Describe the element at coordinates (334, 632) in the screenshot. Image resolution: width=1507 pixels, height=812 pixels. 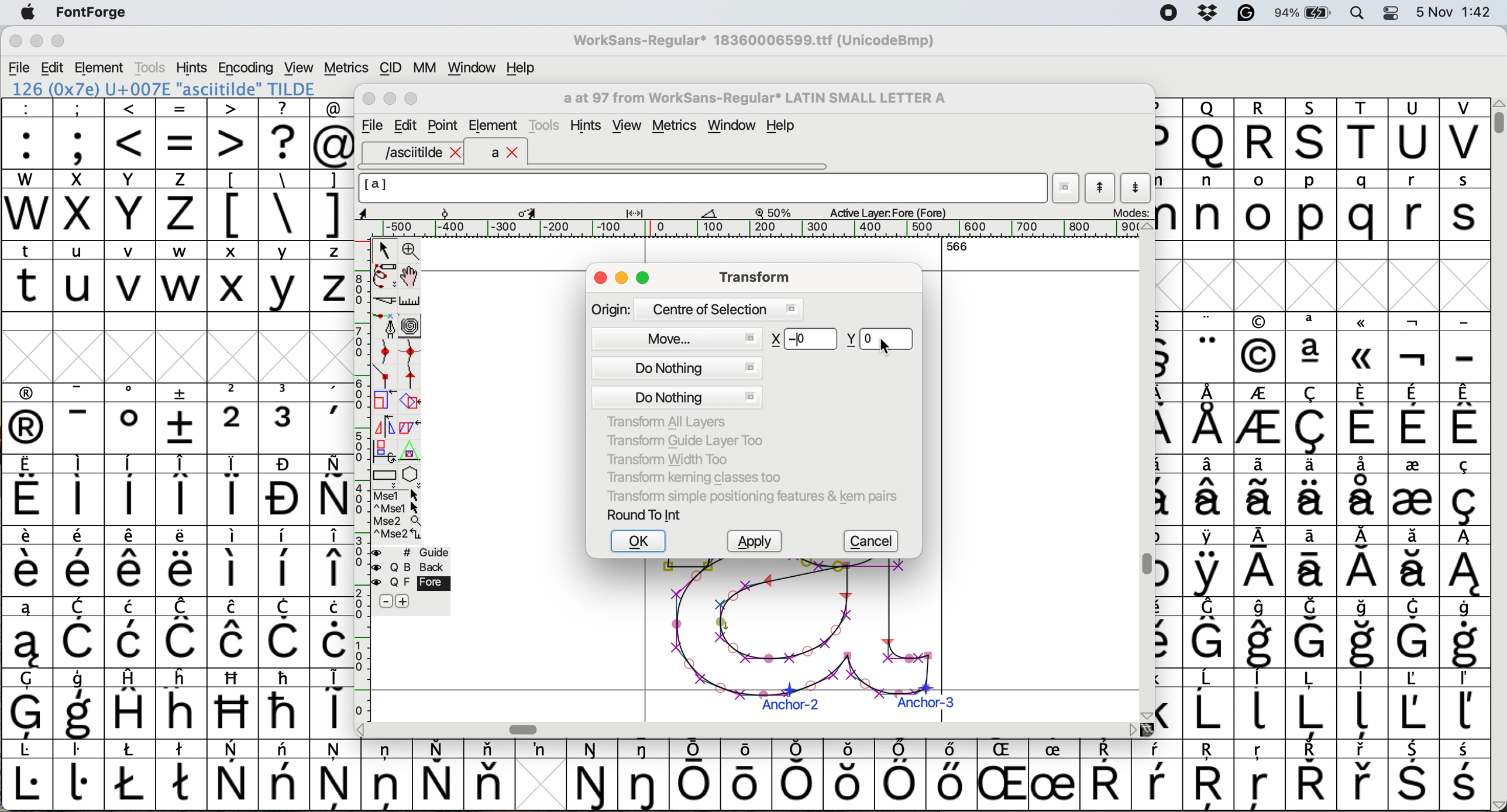
I see `symbol` at that location.